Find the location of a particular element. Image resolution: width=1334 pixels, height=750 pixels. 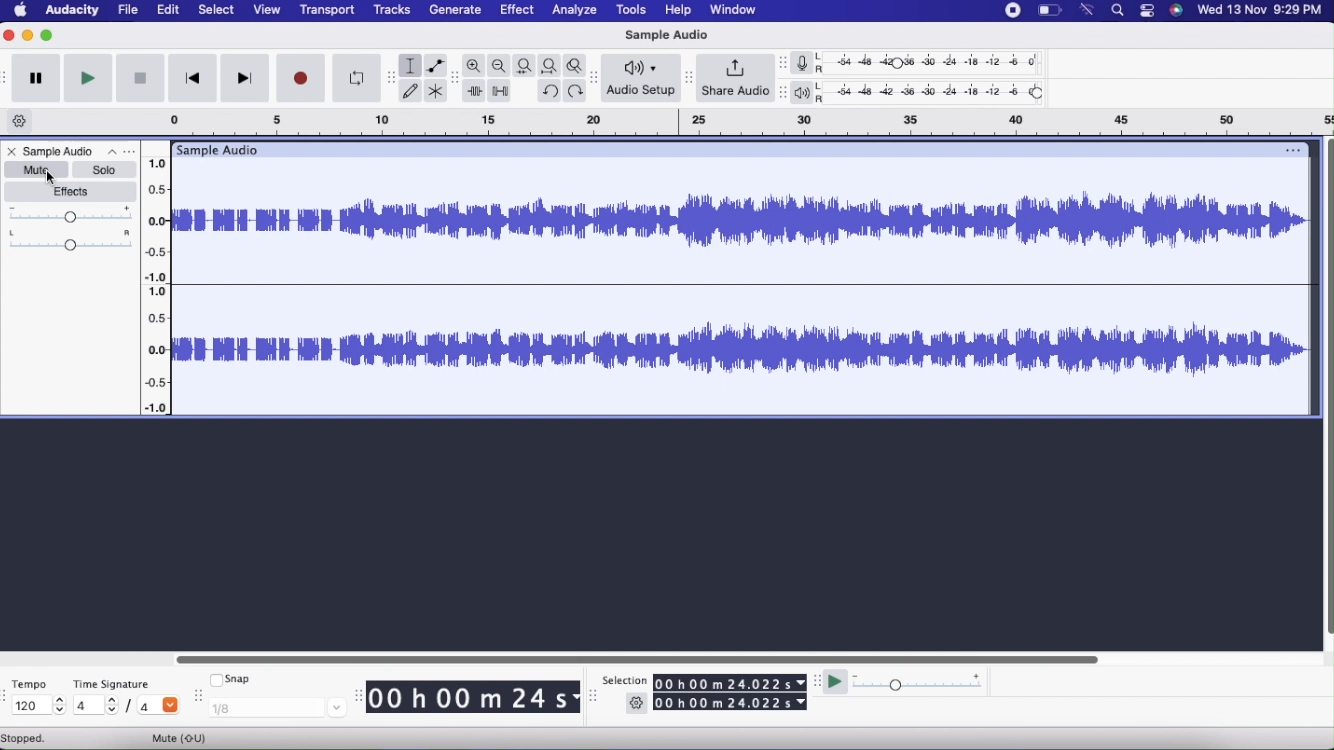

Edit is located at coordinates (169, 11).